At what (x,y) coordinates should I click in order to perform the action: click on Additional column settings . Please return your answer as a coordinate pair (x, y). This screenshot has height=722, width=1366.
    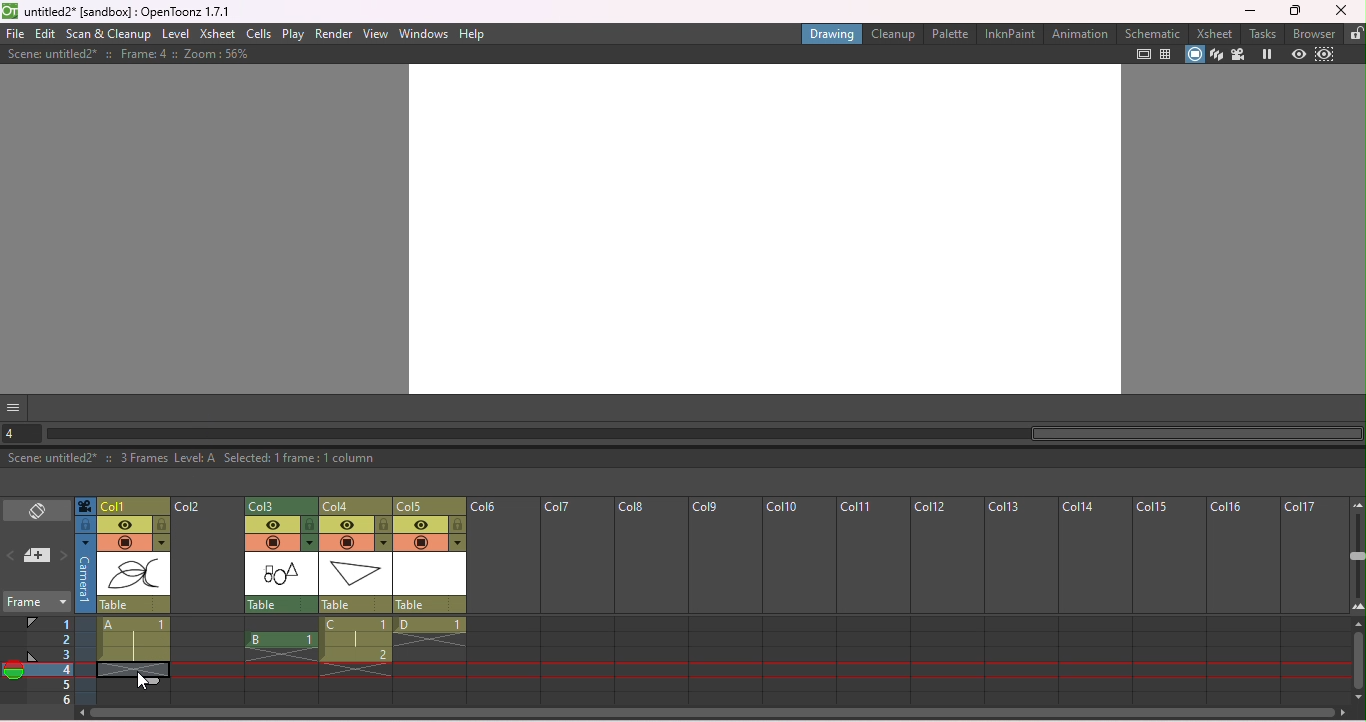
    Looking at the image, I should click on (383, 543).